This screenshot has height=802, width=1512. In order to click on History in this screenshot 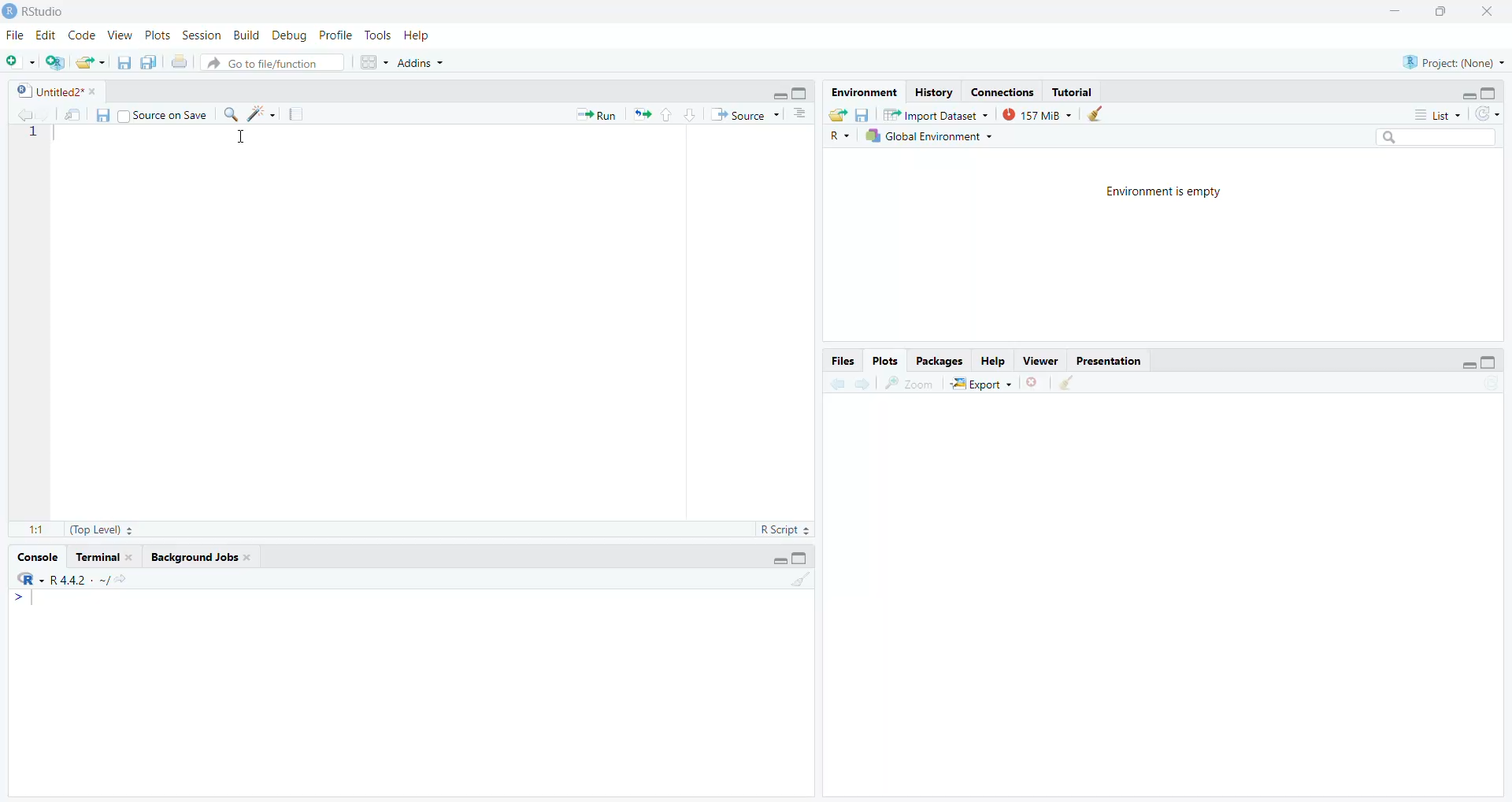, I will do `click(935, 89)`.